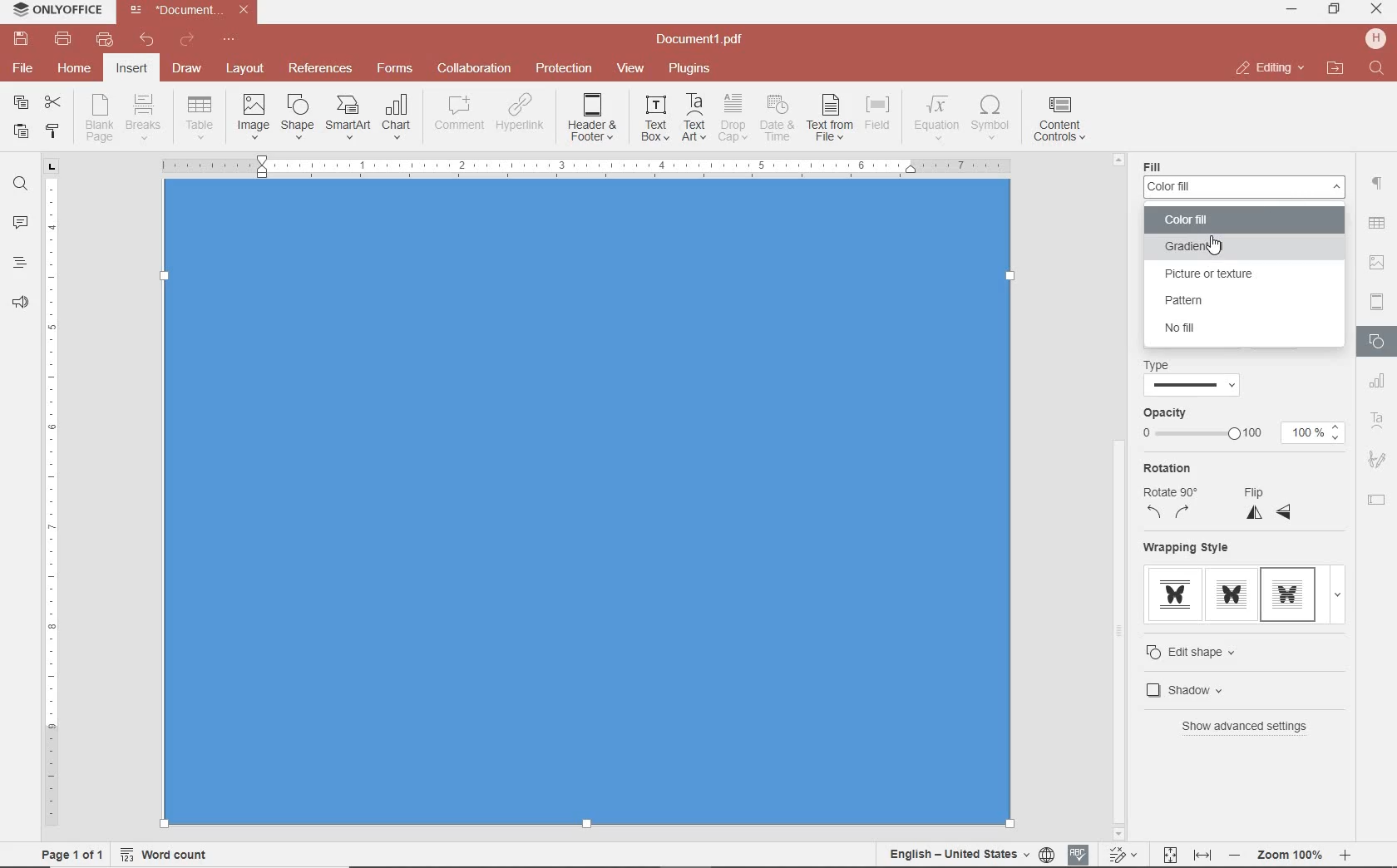 This screenshot has width=1397, height=868. I want to click on paste, so click(19, 131).